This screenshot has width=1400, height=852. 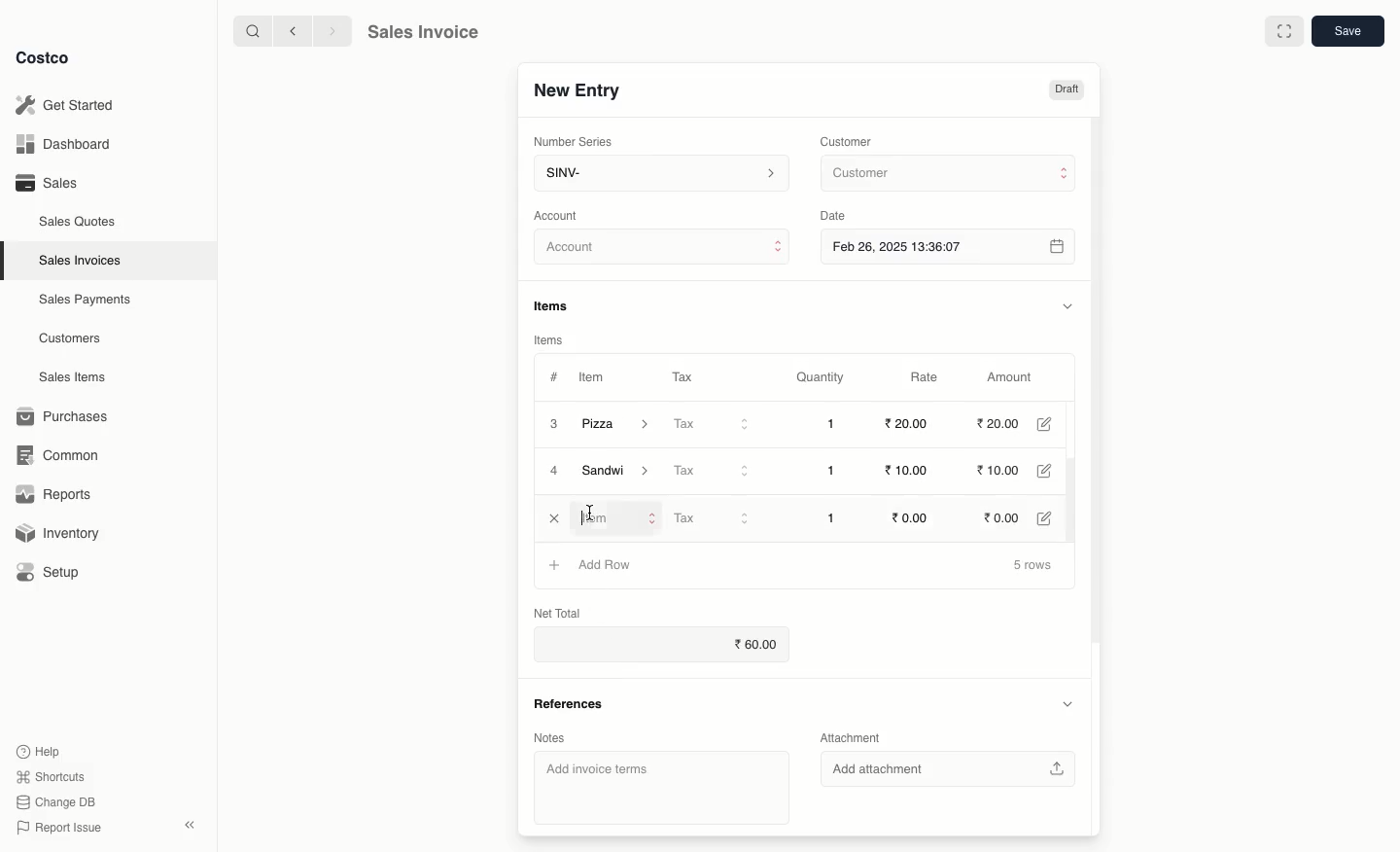 What do you see at coordinates (759, 645) in the screenshot?
I see `60.00` at bounding box center [759, 645].